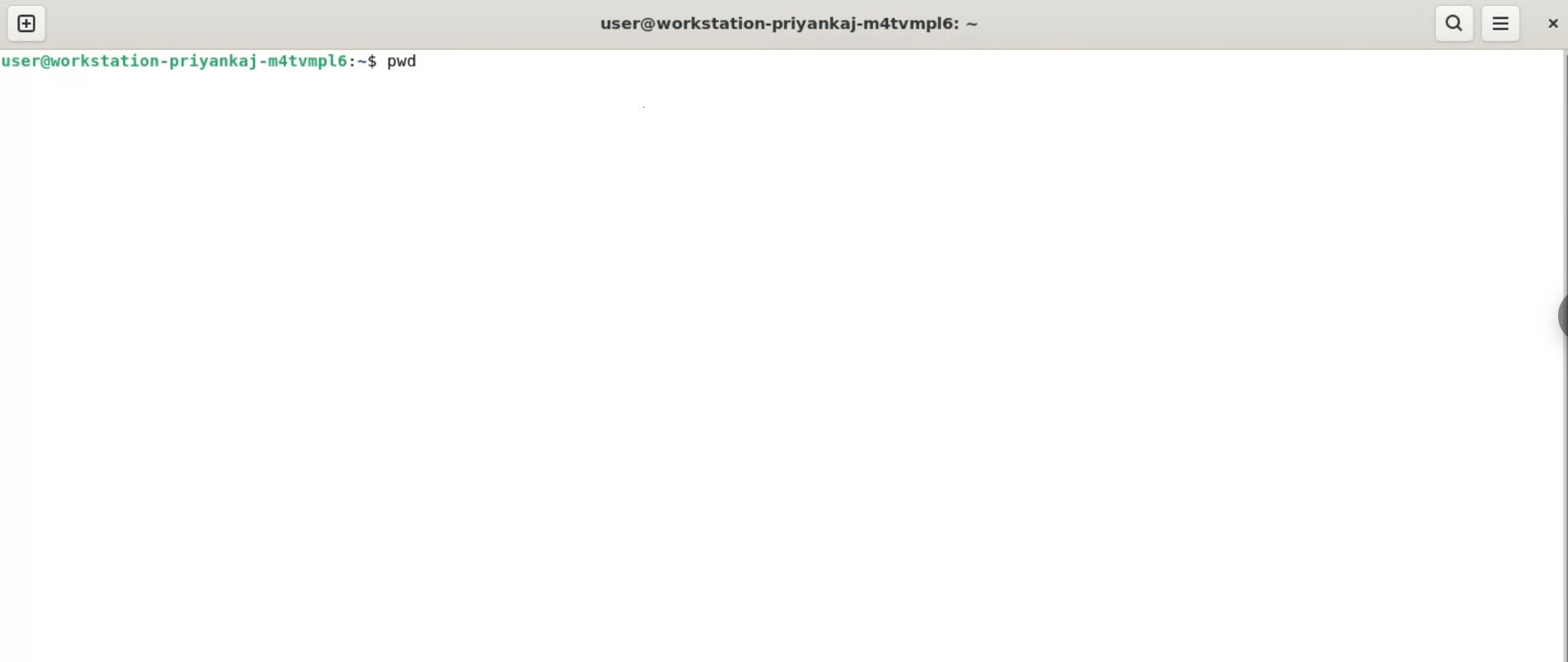 The height and width of the screenshot is (662, 1568). What do you see at coordinates (1555, 317) in the screenshot?
I see `sidebar` at bounding box center [1555, 317].